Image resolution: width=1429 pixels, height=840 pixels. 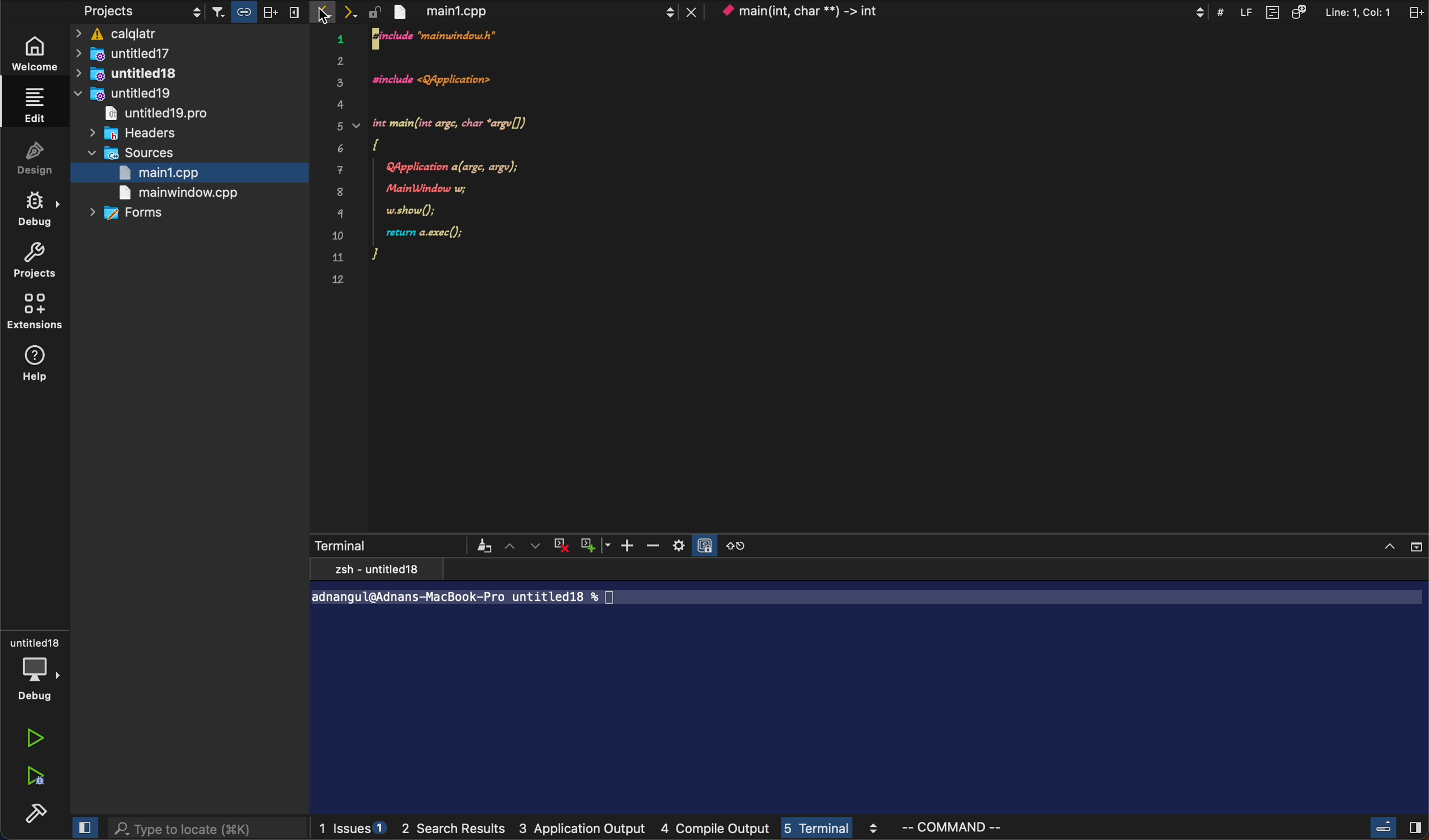 What do you see at coordinates (150, 54) in the screenshot?
I see `untitled17` at bounding box center [150, 54].